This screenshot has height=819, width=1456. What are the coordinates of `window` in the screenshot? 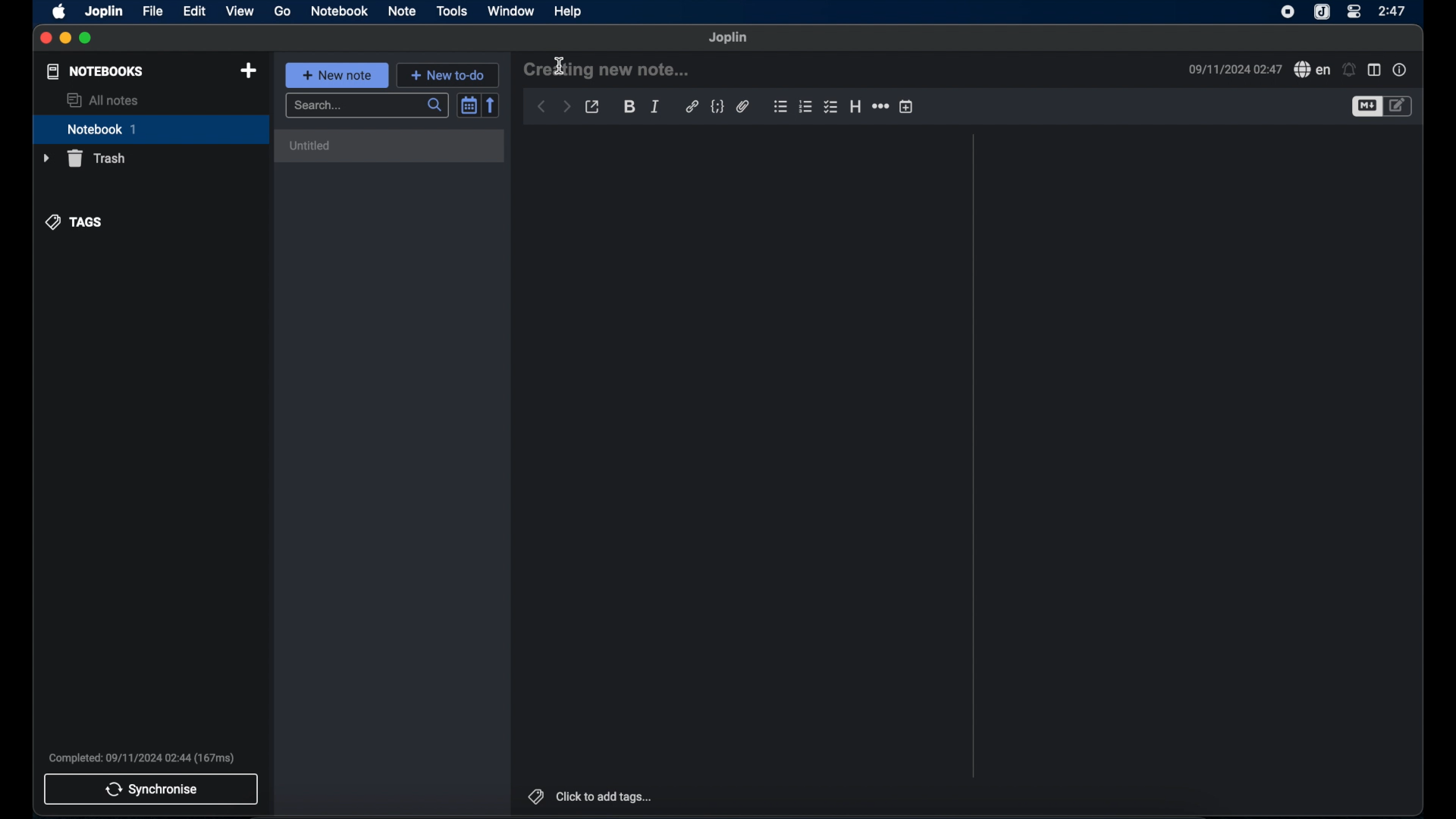 It's located at (511, 11).